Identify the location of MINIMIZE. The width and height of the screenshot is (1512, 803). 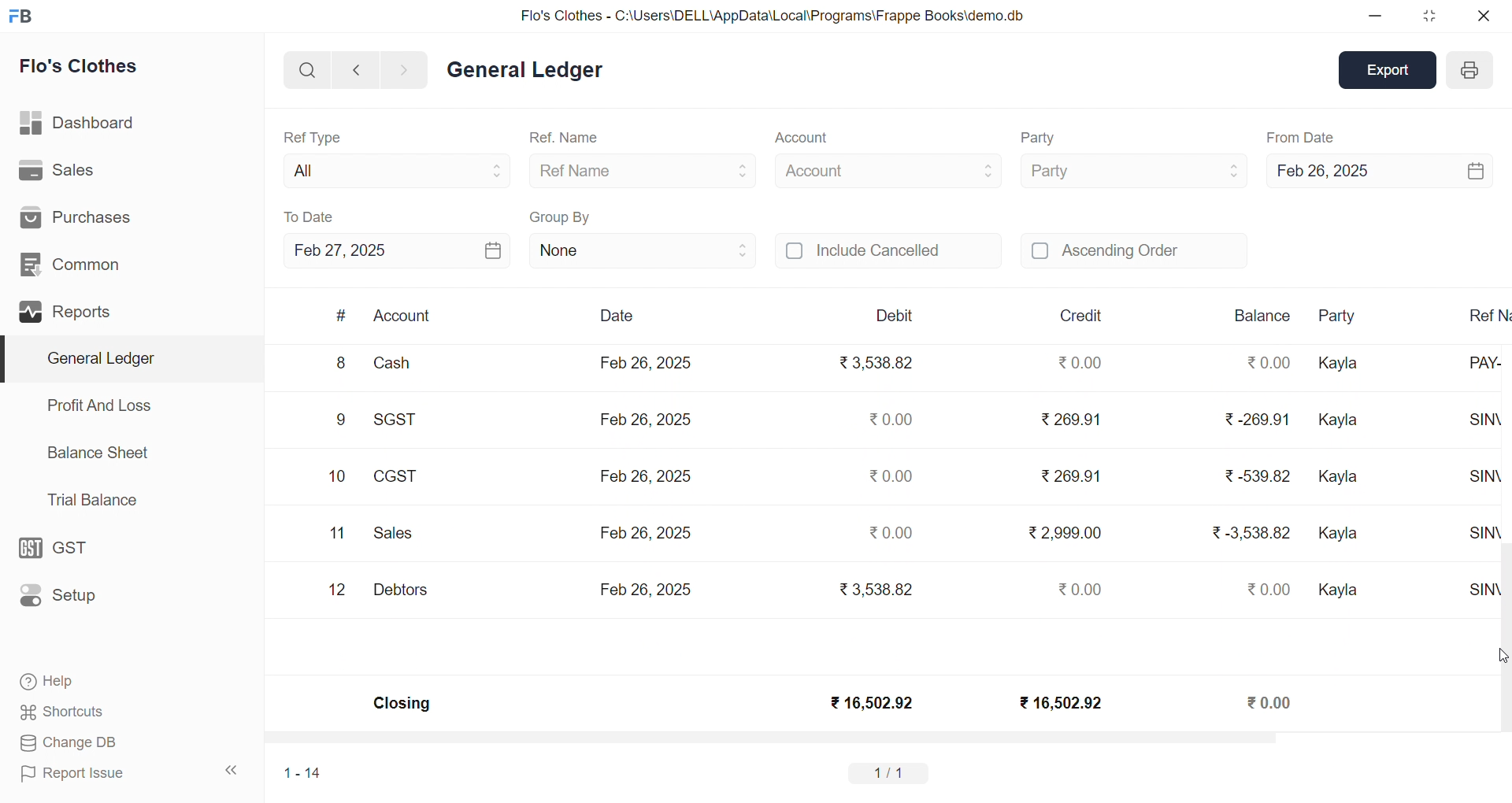
(1376, 17).